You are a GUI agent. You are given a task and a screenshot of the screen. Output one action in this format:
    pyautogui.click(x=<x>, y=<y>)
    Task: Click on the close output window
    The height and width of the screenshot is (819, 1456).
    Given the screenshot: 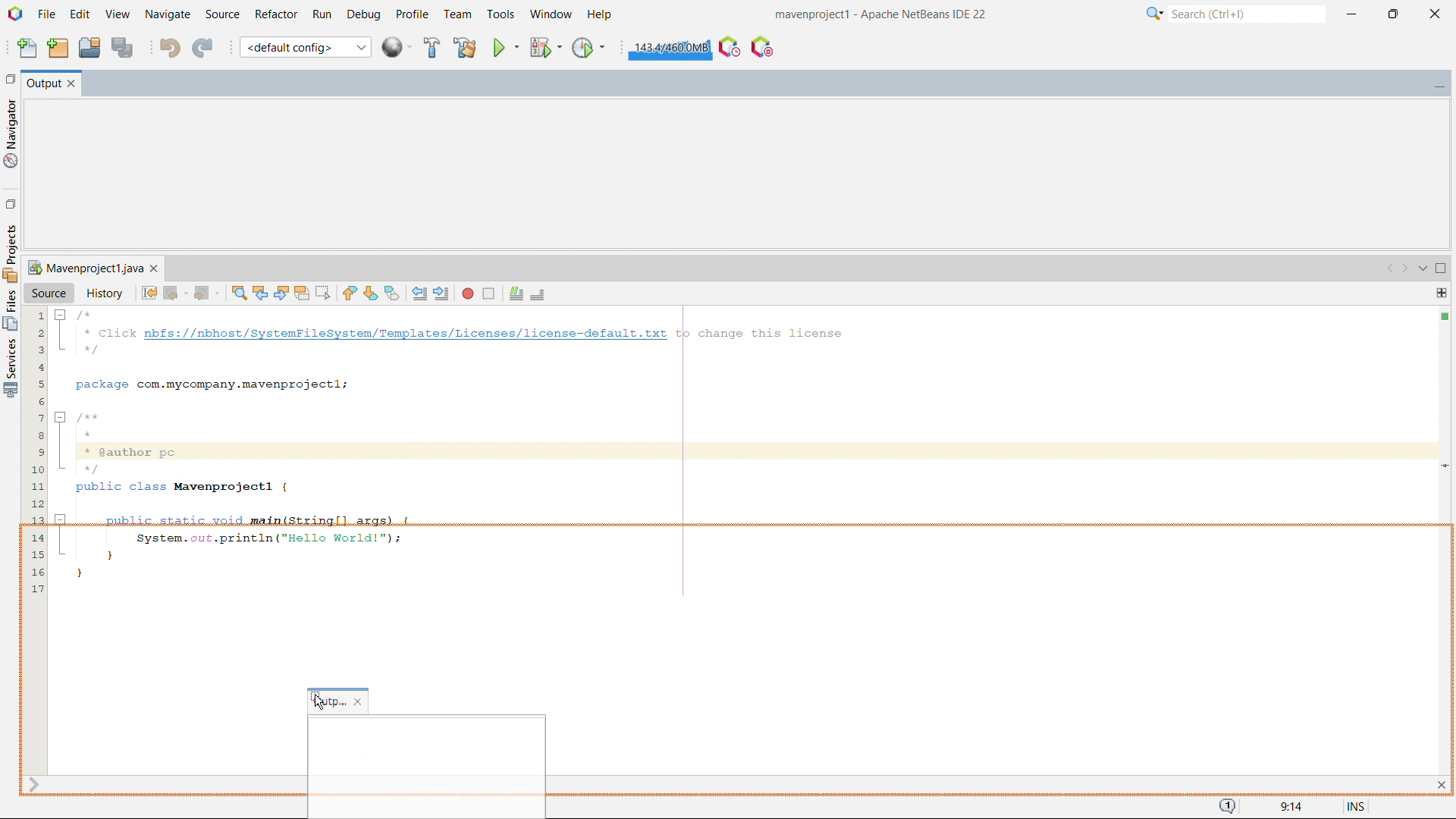 What is the action you would take?
    pyautogui.click(x=72, y=85)
    